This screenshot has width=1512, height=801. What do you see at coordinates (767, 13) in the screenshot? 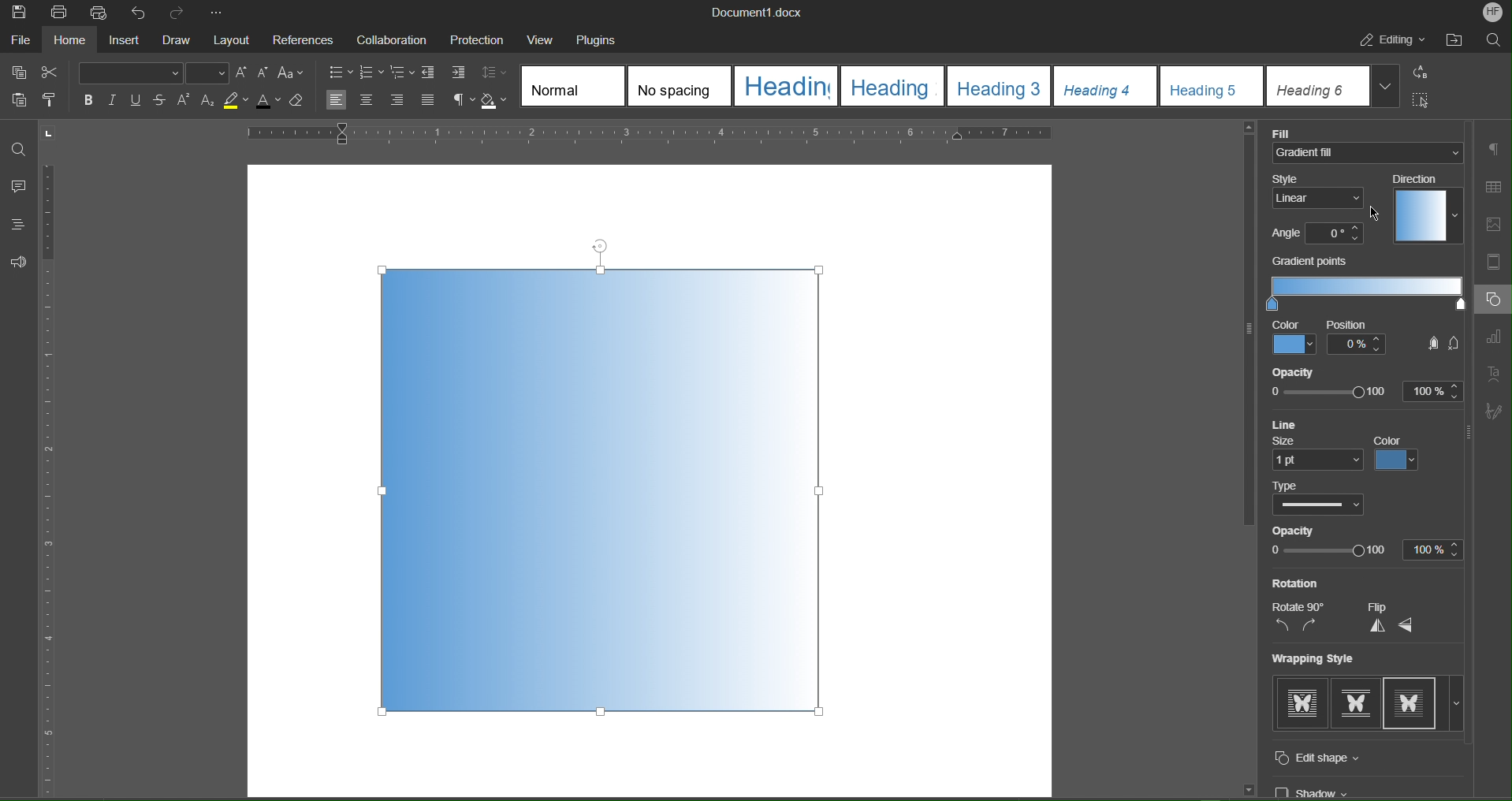
I see `Document1.docx` at bounding box center [767, 13].